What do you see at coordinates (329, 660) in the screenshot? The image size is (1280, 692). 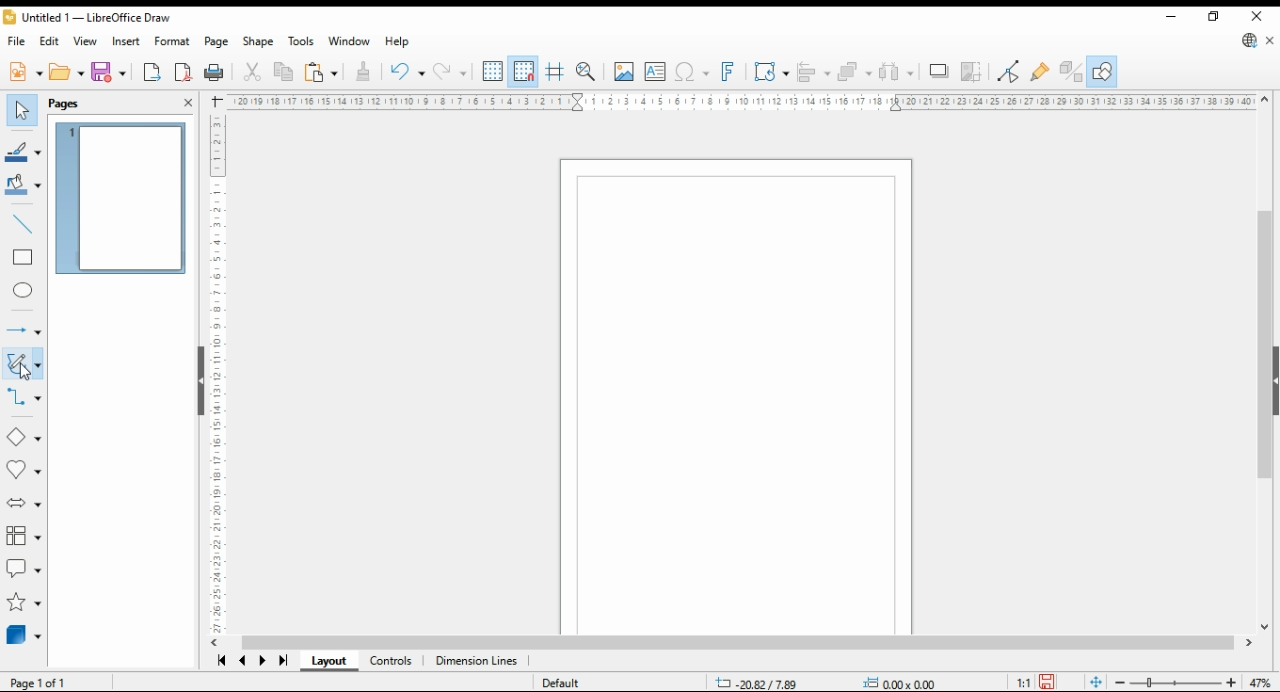 I see `layout` at bounding box center [329, 660].